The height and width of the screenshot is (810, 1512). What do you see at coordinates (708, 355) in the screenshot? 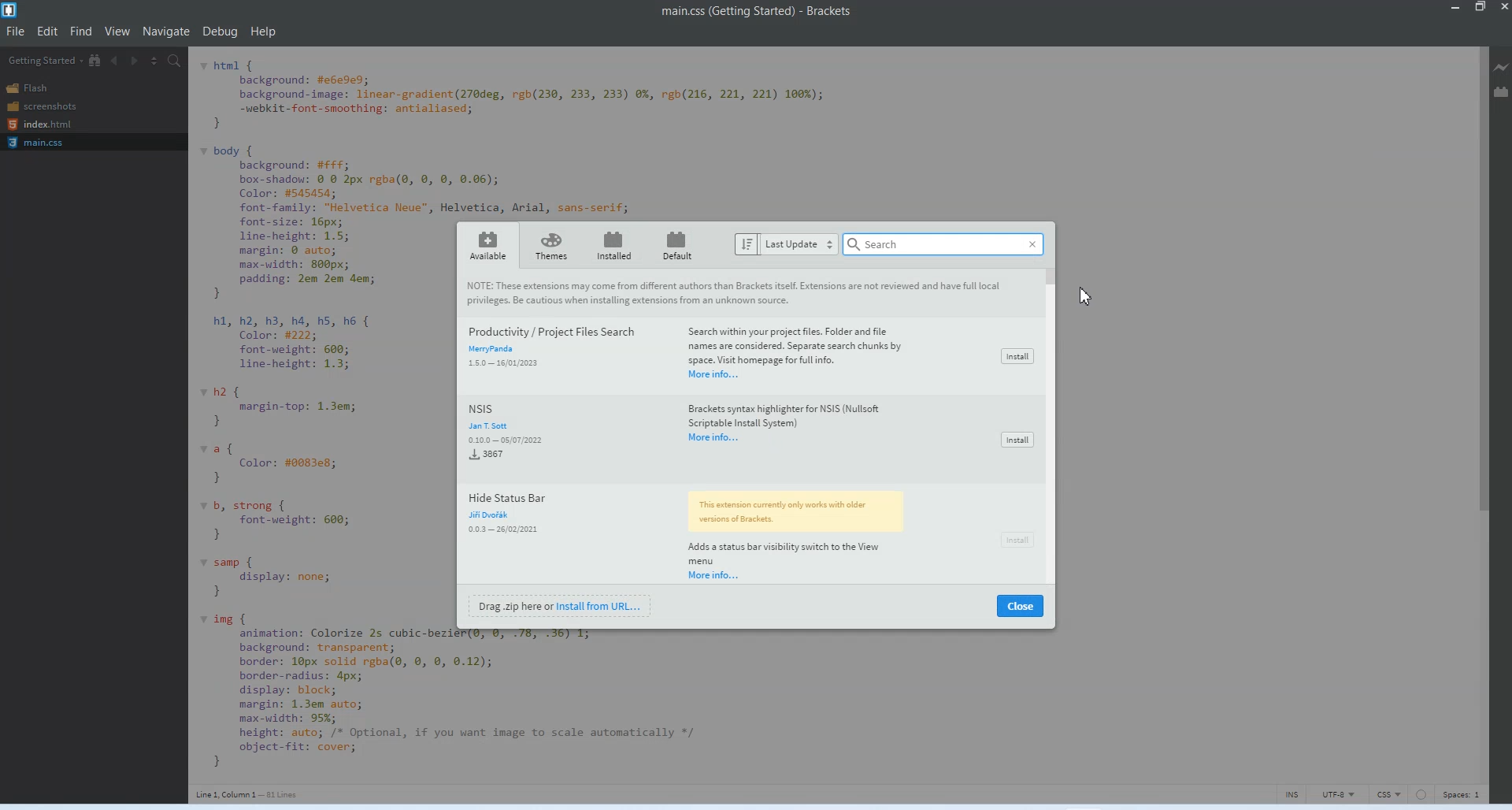
I see `Productivity/Project files search` at bounding box center [708, 355].